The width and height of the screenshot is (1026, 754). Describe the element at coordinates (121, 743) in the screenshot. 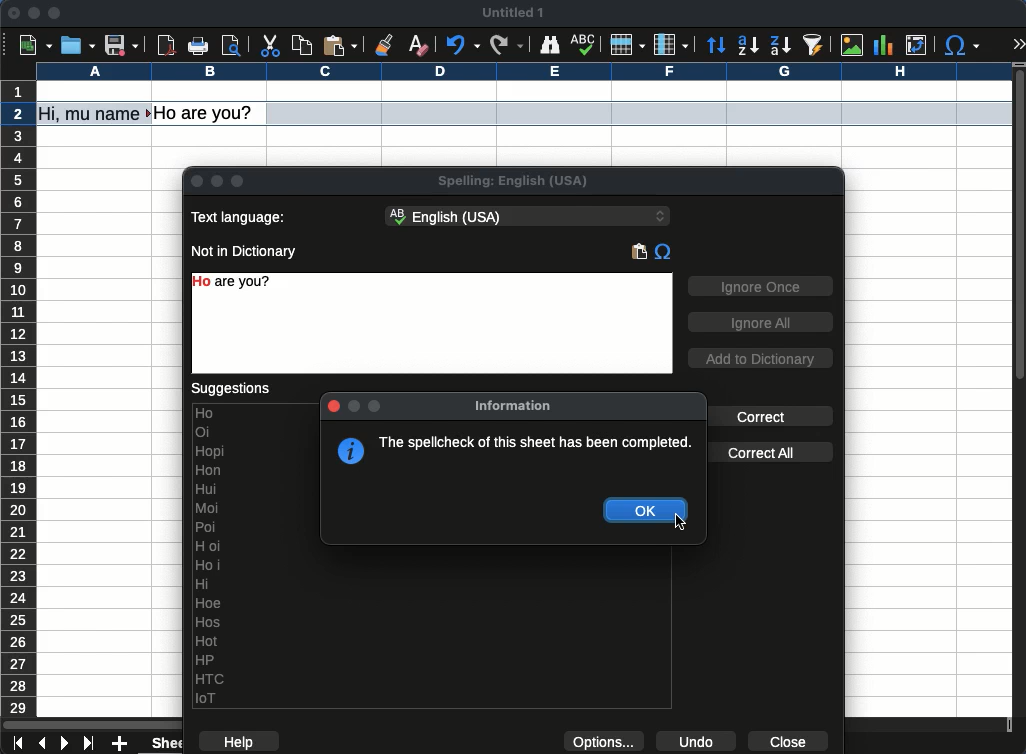

I see `add` at that location.